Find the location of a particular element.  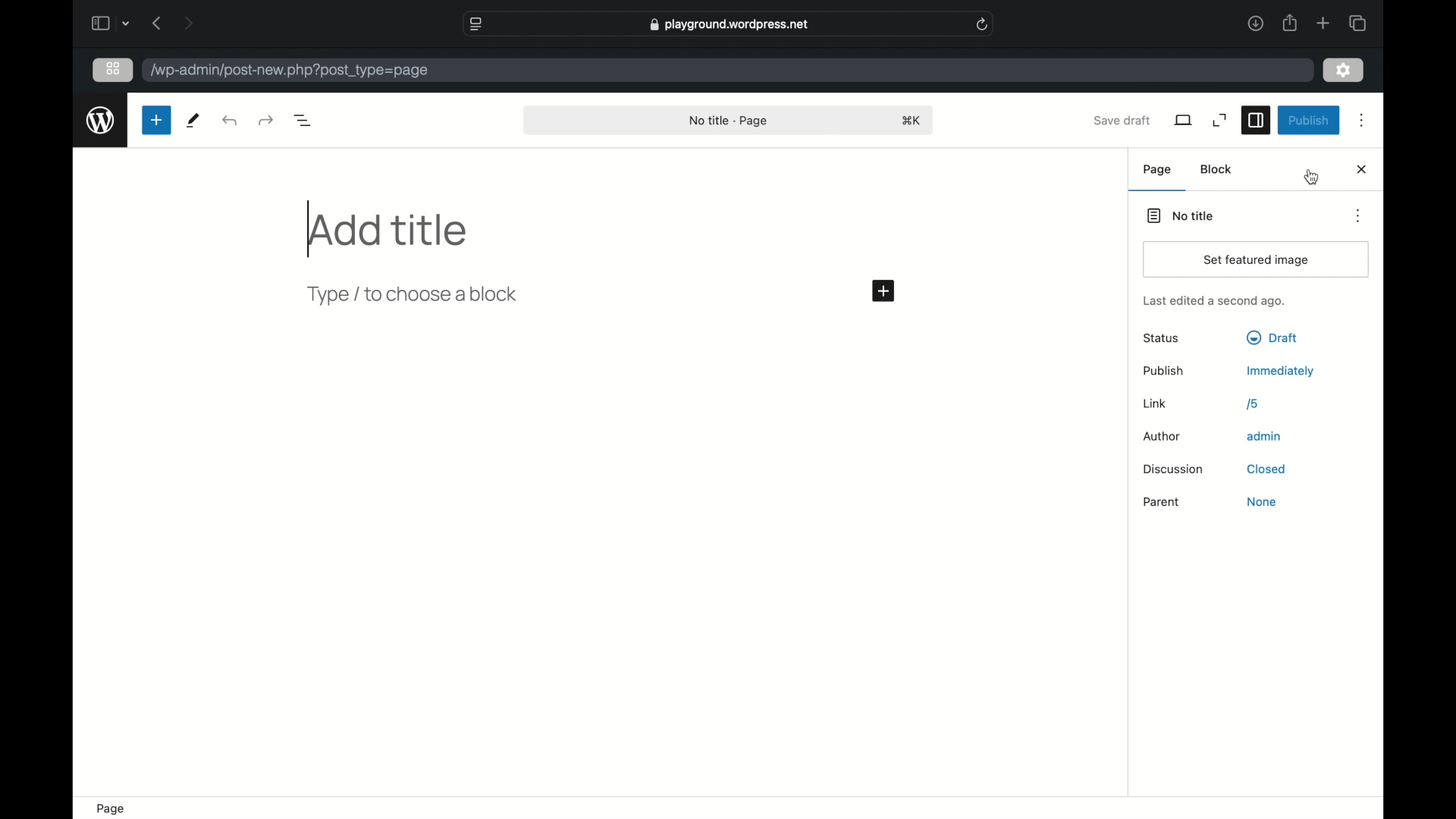

show sidebar is located at coordinates (99, 24).